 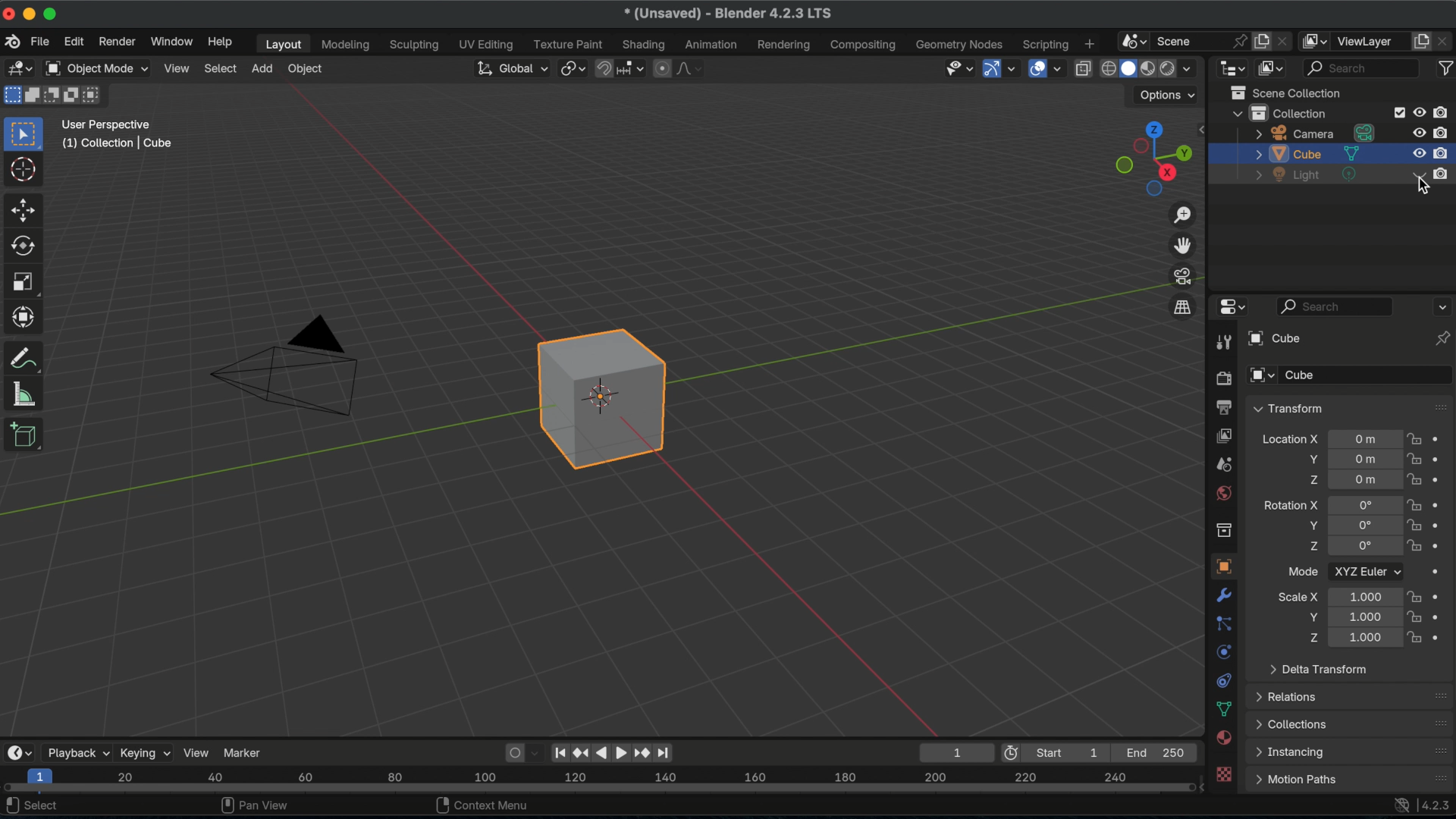 What do you see at coordinates (1181, 274) in the screenshot?
I see `toggle the camera view` at bounding box center [1181, 274].